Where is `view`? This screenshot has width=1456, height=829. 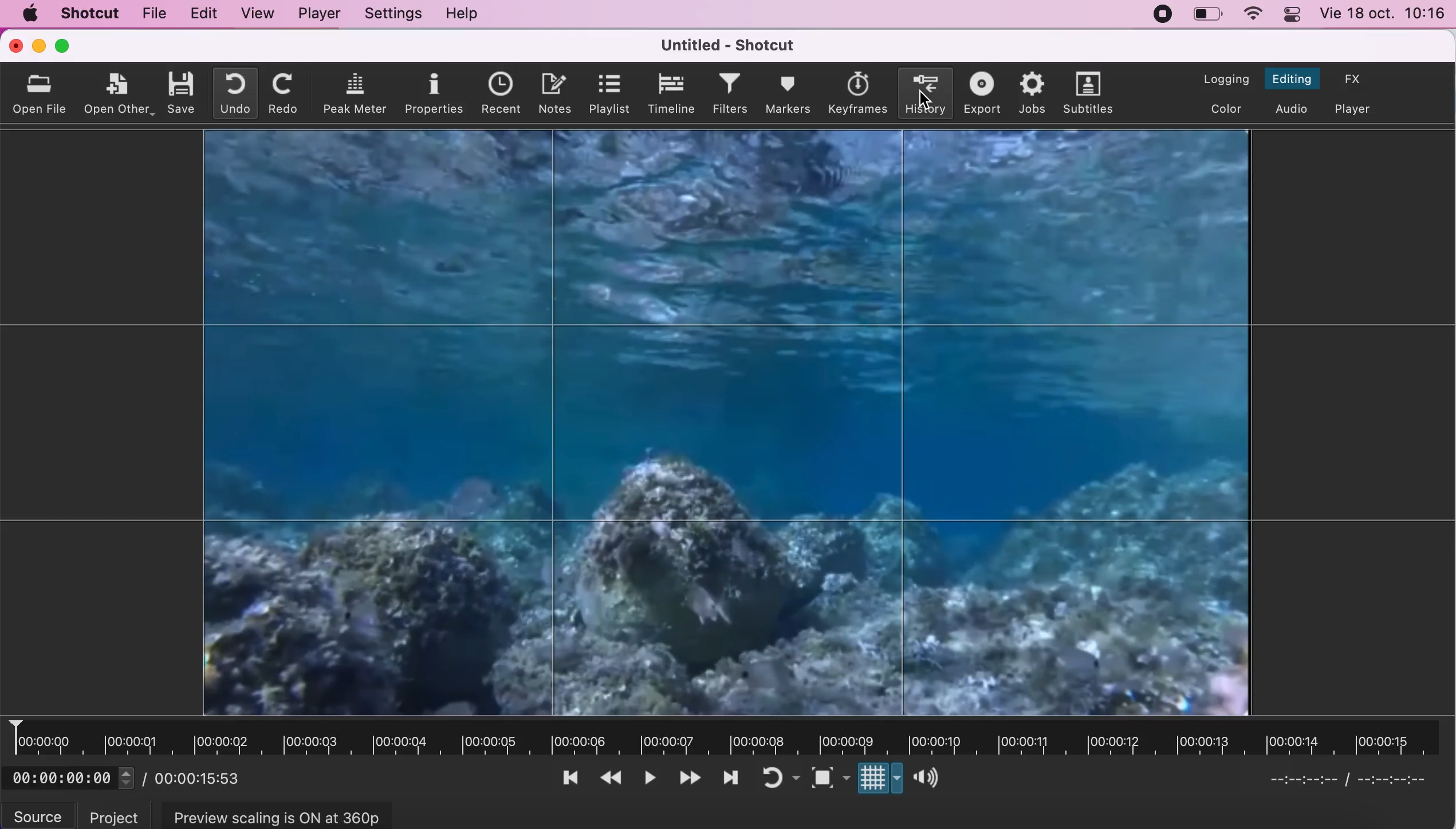 view is located at coordinates (258, 14).